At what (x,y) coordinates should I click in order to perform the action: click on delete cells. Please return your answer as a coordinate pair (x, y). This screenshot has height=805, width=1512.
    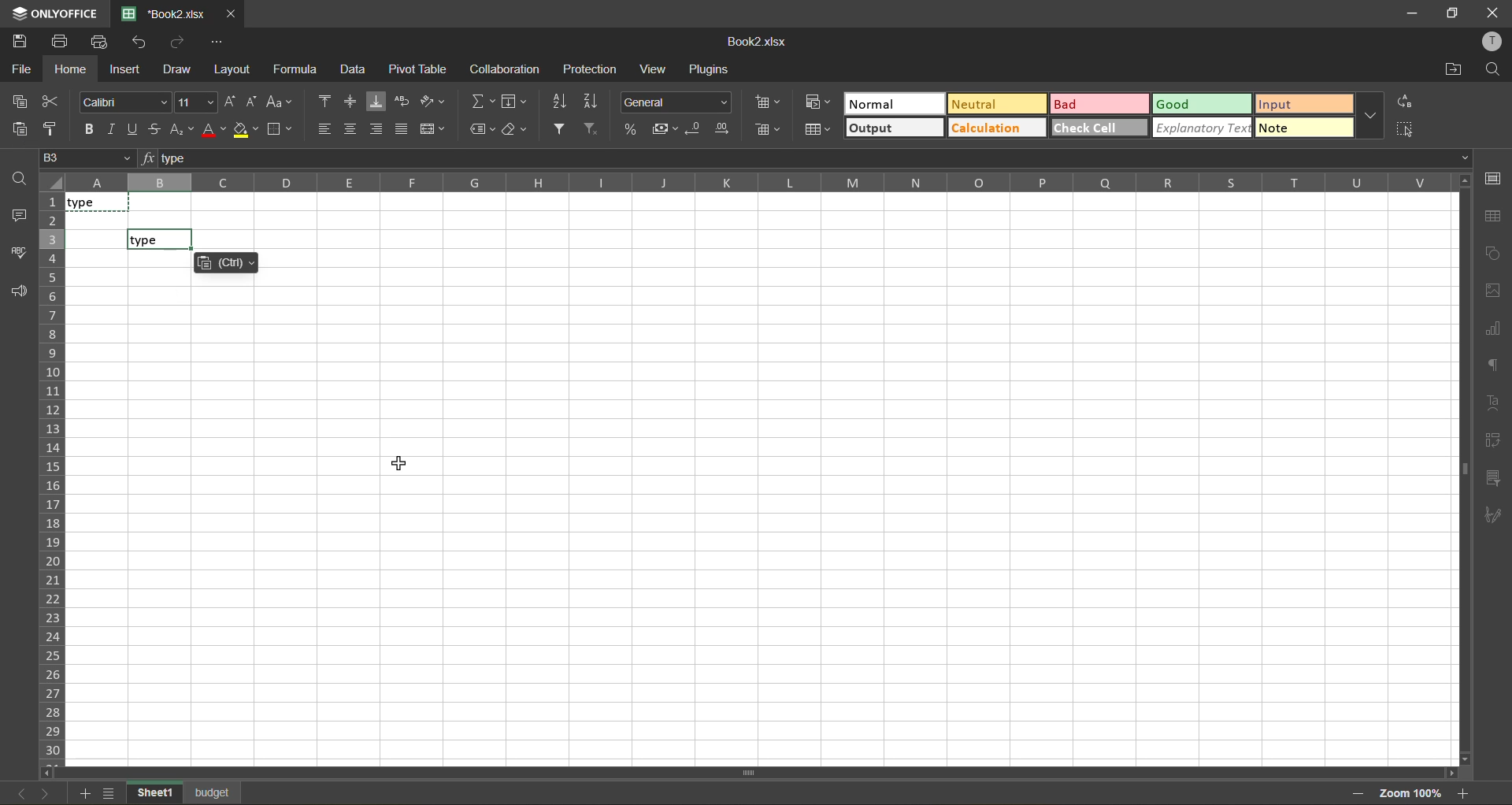
    Looking at the image, I should click on (770, 131).